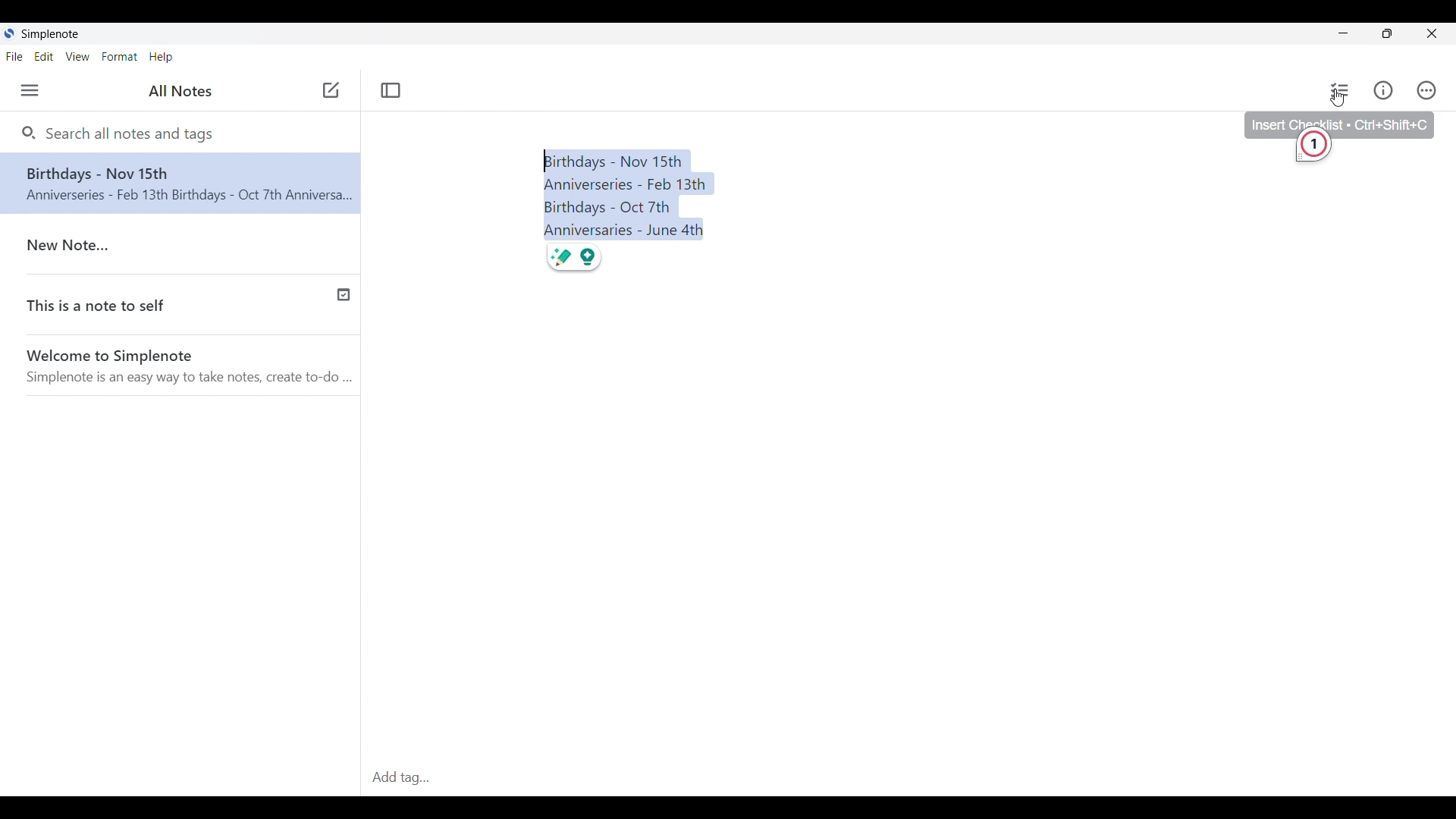 The image size is (1456, 819). What do you see at coordinates (1432, 33) in the screenshot?
I see `Close interface` at bounding box center [1432, 33].